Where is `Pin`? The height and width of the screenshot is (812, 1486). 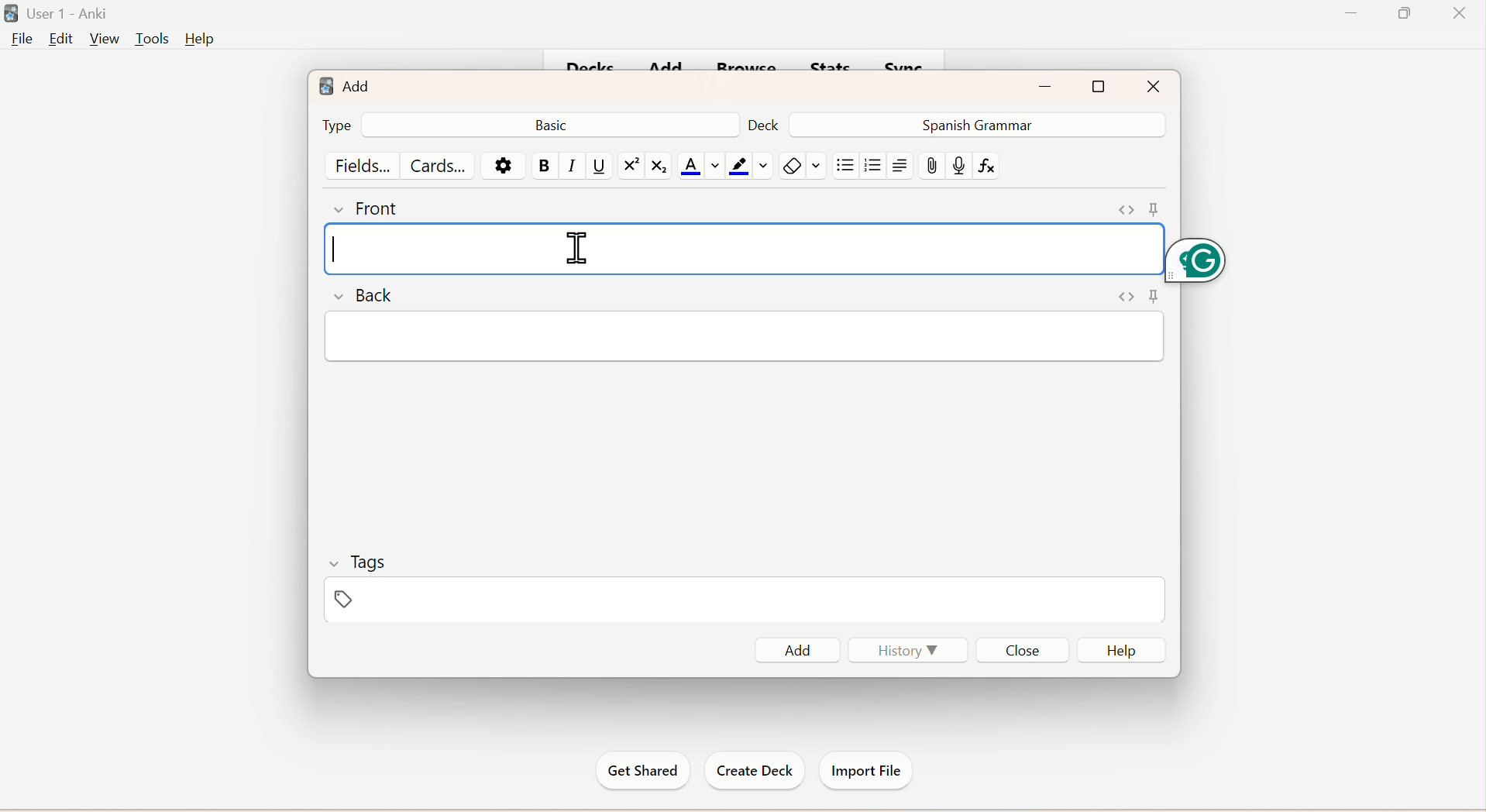 Pin is located at coordinates (1133, 207).